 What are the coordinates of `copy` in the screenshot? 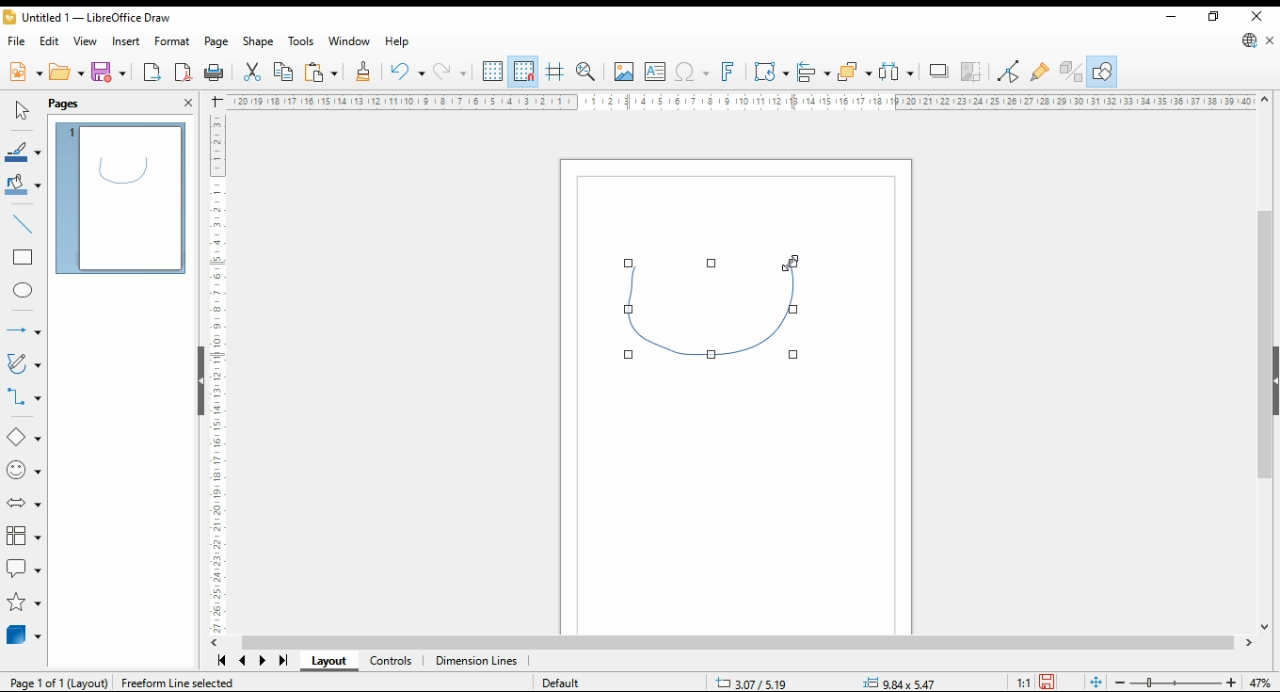 It's located at (282, 73).